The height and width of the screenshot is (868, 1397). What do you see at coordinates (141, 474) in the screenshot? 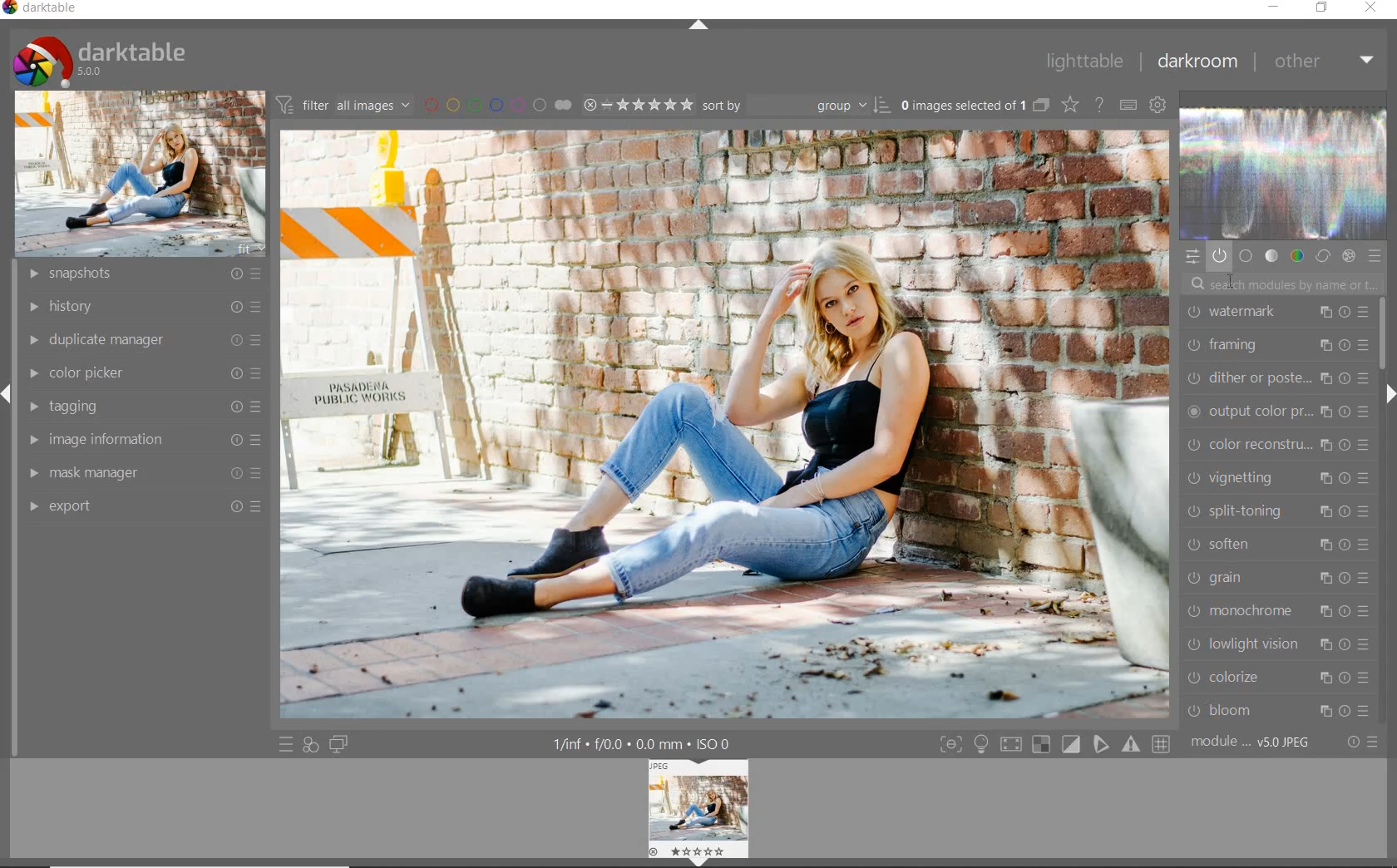
I see `mask manager` at bounding box center [141, 474].